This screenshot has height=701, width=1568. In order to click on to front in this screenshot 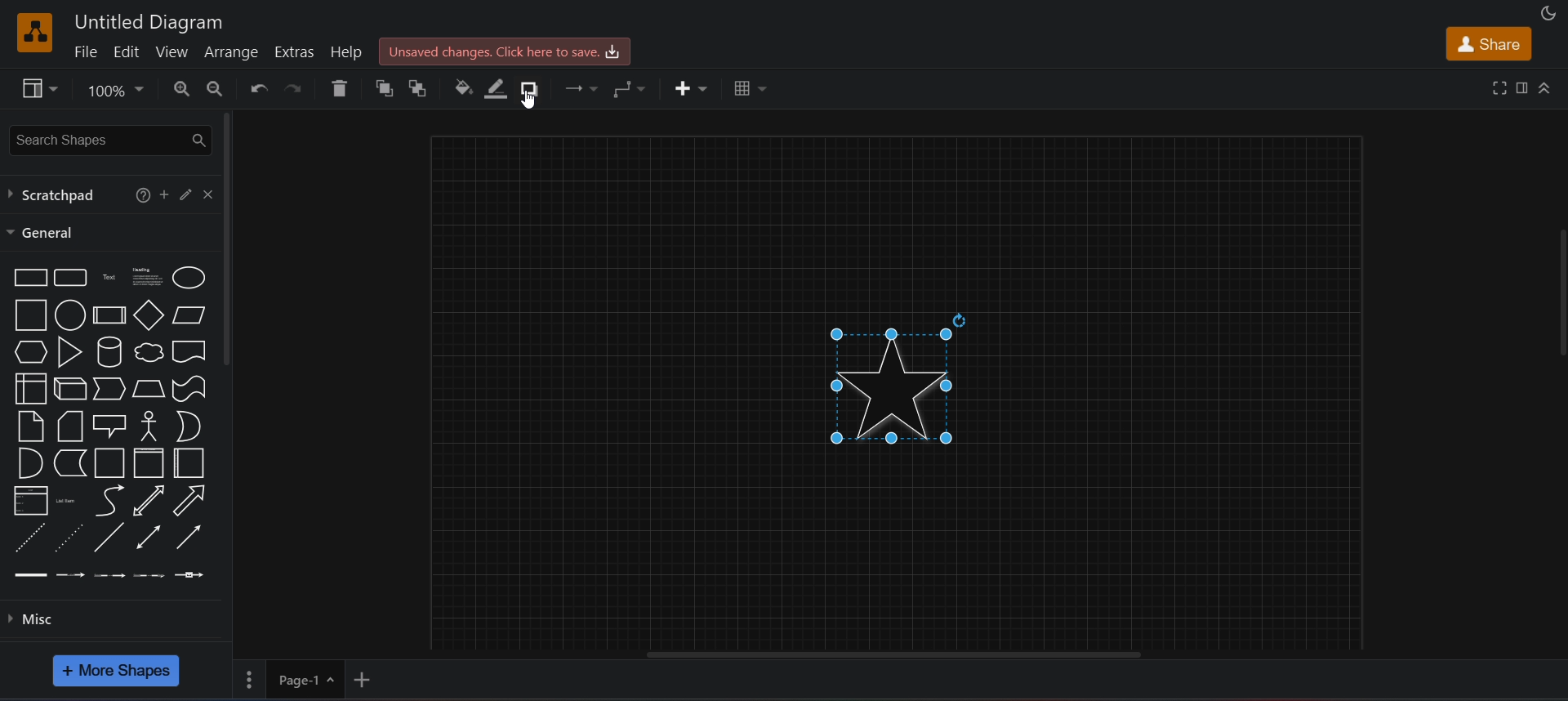, I will do `click(382, 89)`.